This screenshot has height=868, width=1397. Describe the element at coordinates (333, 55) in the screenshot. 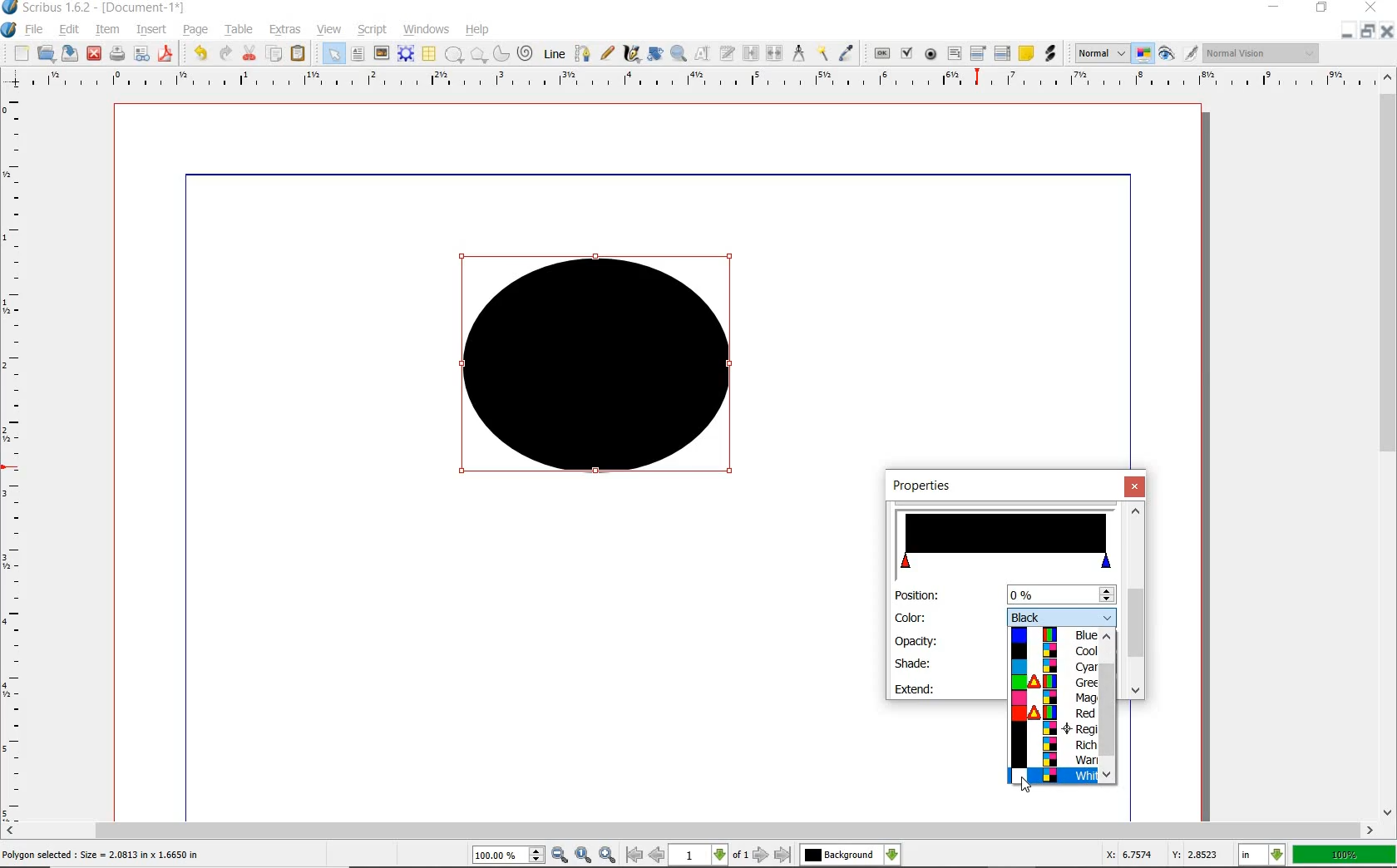

I see `SELECT` at that location.